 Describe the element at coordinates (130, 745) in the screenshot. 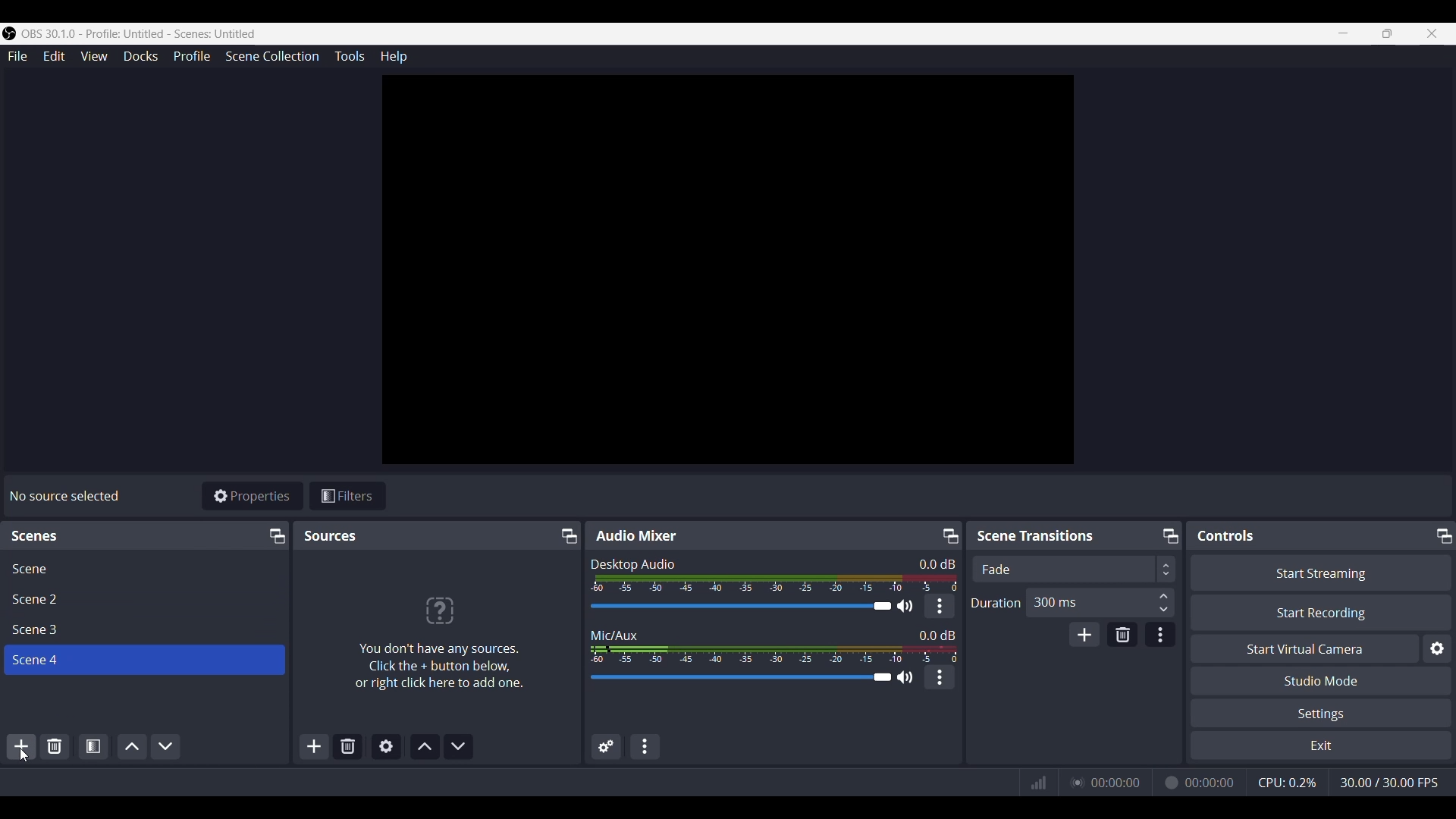

I see `Move scene Up` at that location.